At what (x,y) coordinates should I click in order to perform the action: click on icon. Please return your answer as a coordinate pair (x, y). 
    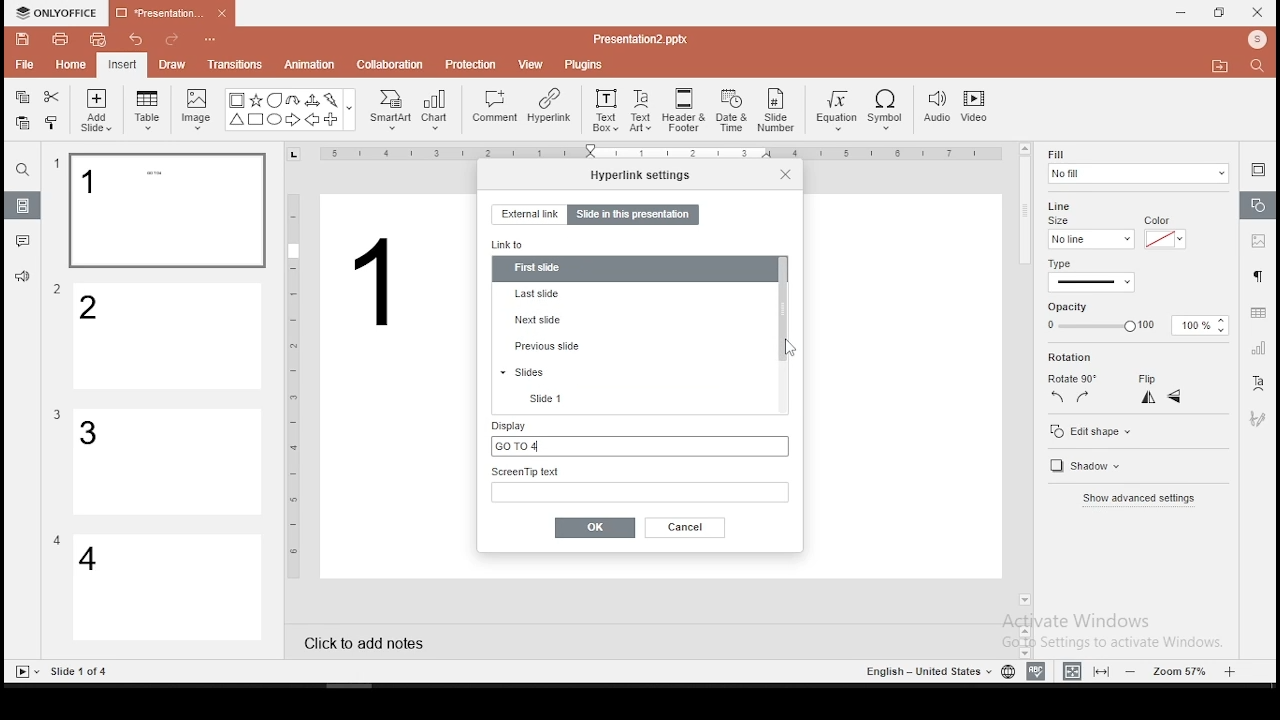
    Looking at the image, I should click on (60, 13).